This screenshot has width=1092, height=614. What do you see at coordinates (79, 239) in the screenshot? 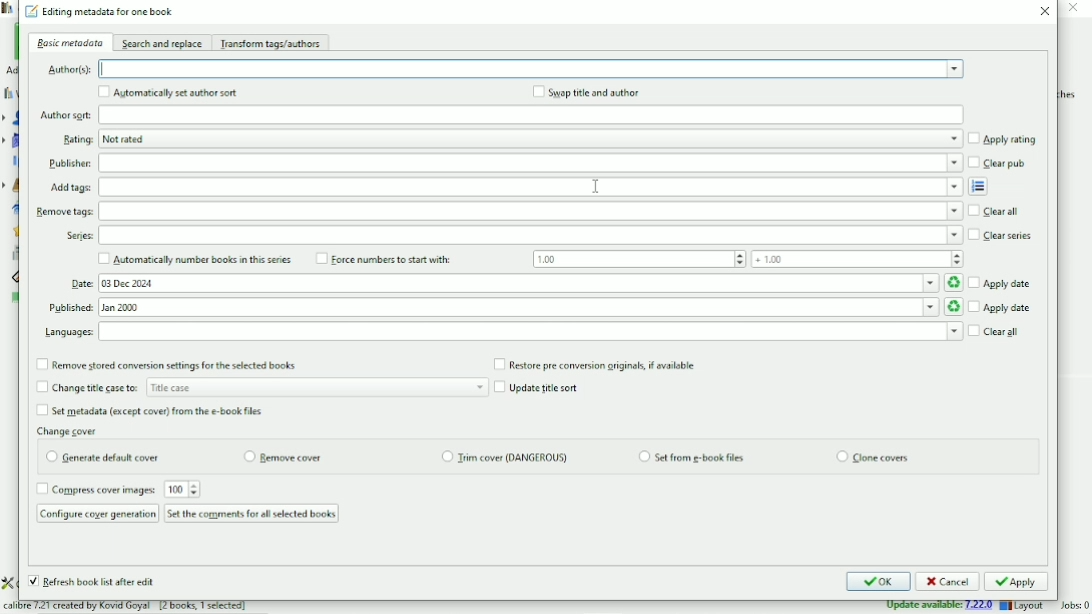
I see `Series ` at bounding box center [79, 239].